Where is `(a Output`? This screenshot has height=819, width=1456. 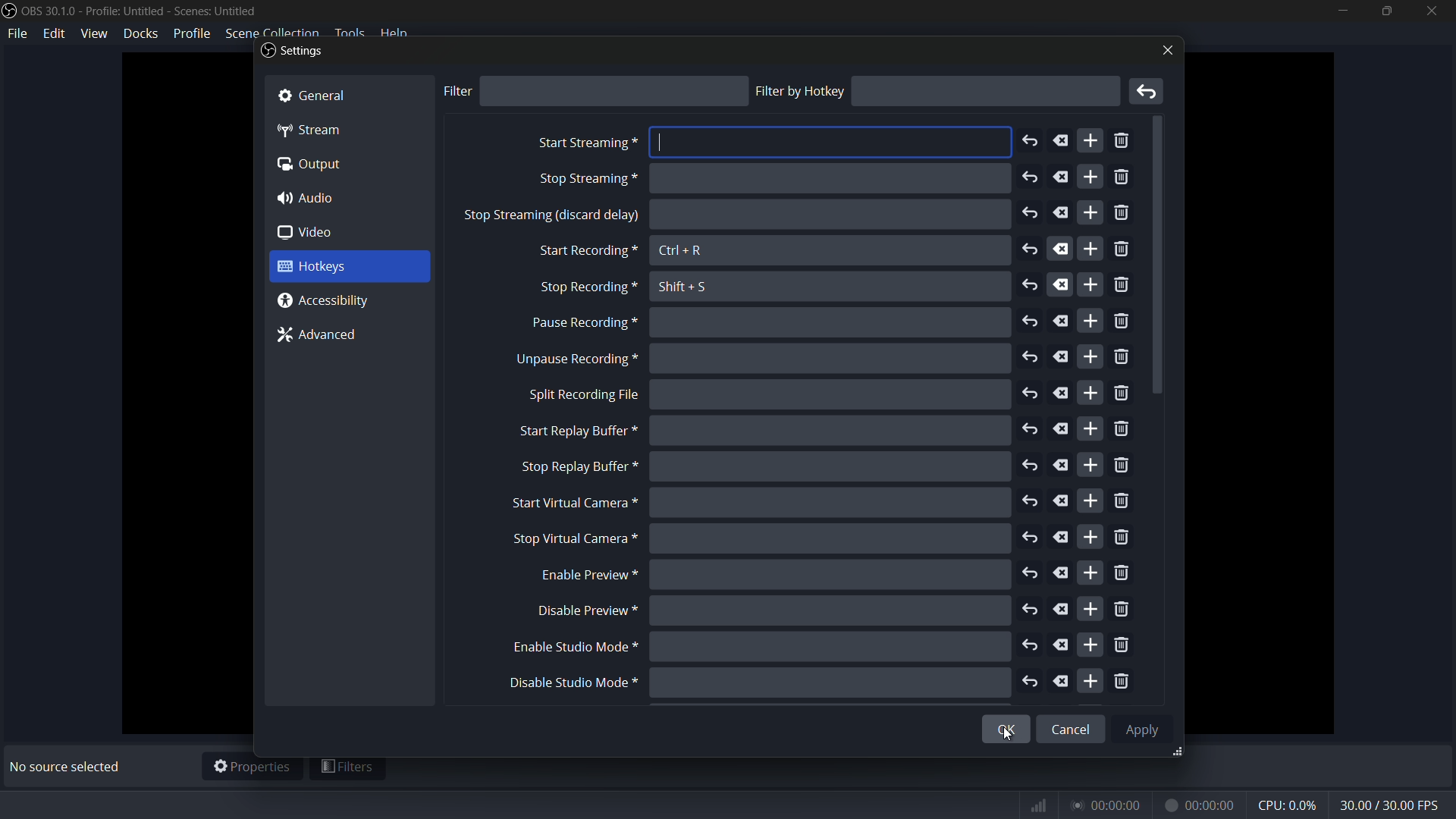 (a Output is located at coordinates (312, 166).